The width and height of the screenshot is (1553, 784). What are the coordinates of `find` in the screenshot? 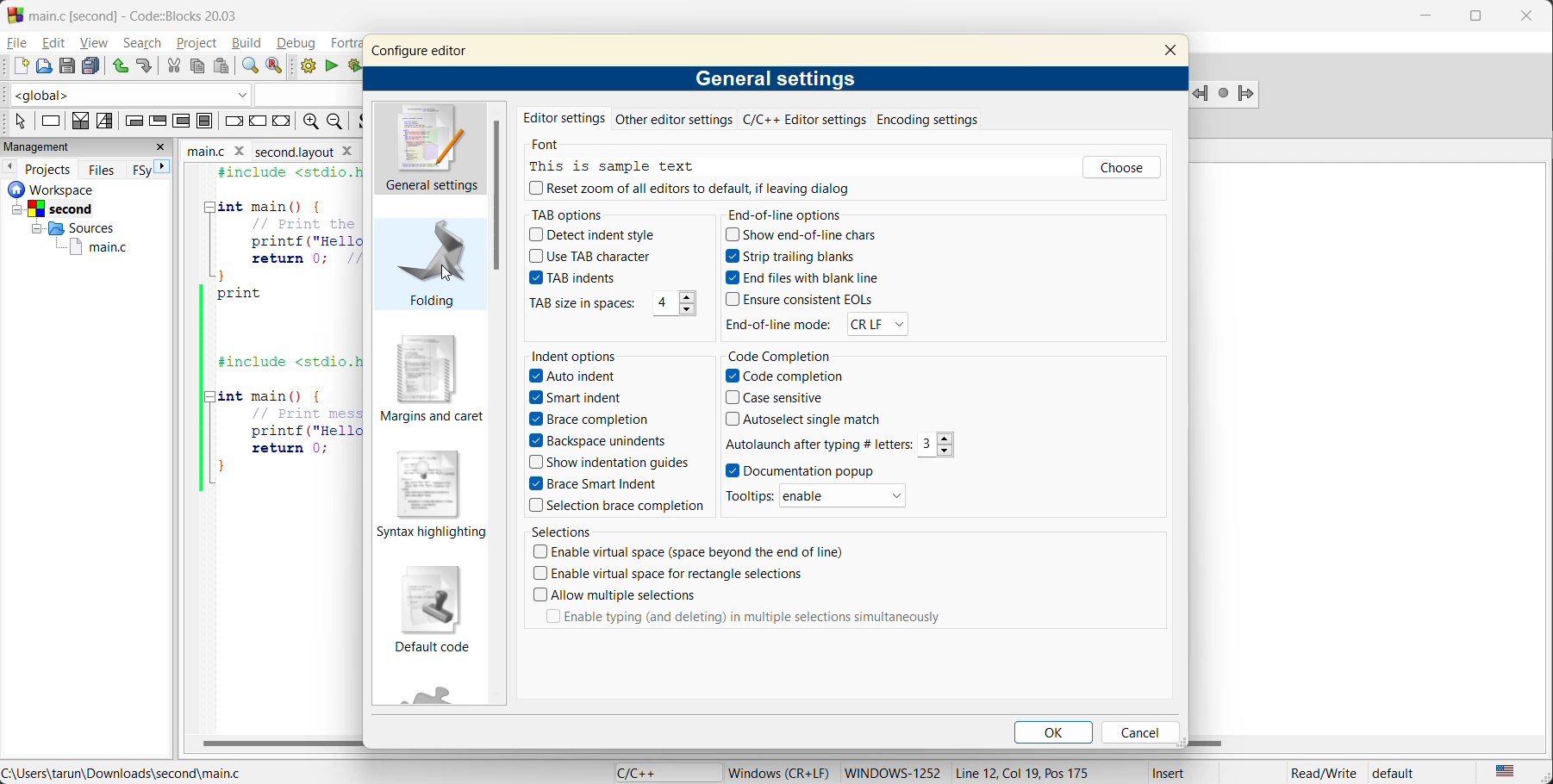 It's located at (250, 65).